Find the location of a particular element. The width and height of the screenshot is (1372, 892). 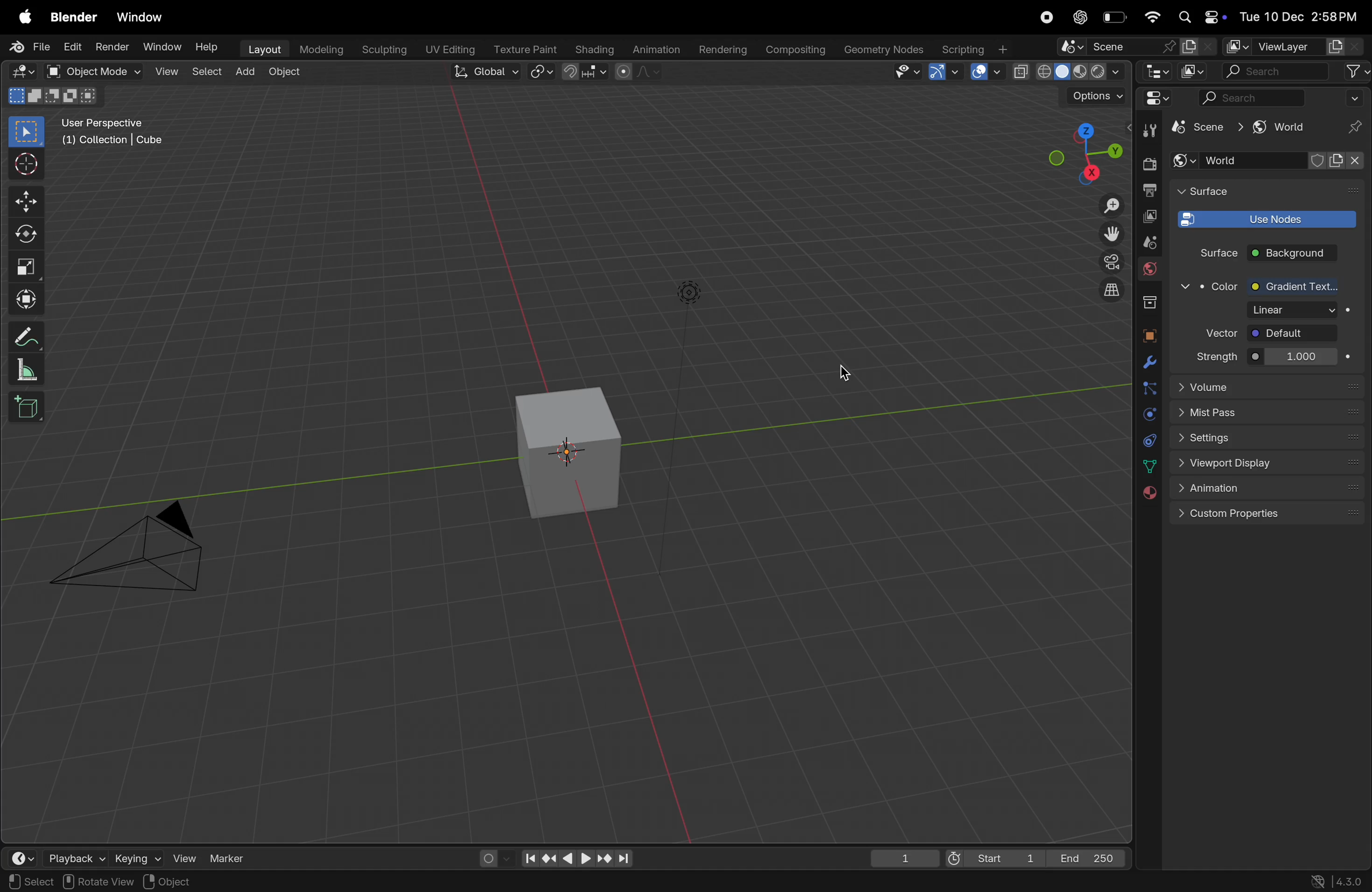

scene is located at coordinates (1134, 48).